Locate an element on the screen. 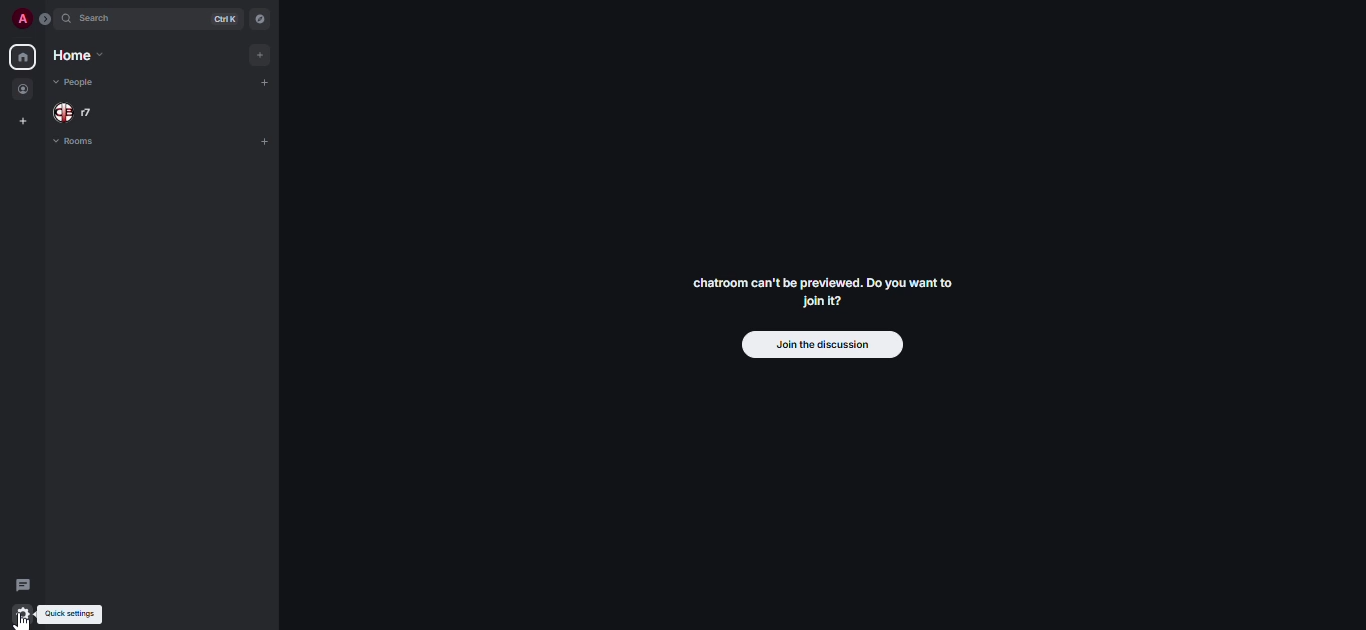 Image resolution: width=1366 pixels, height=630 pixels. people is located at coordinates (77, 112).